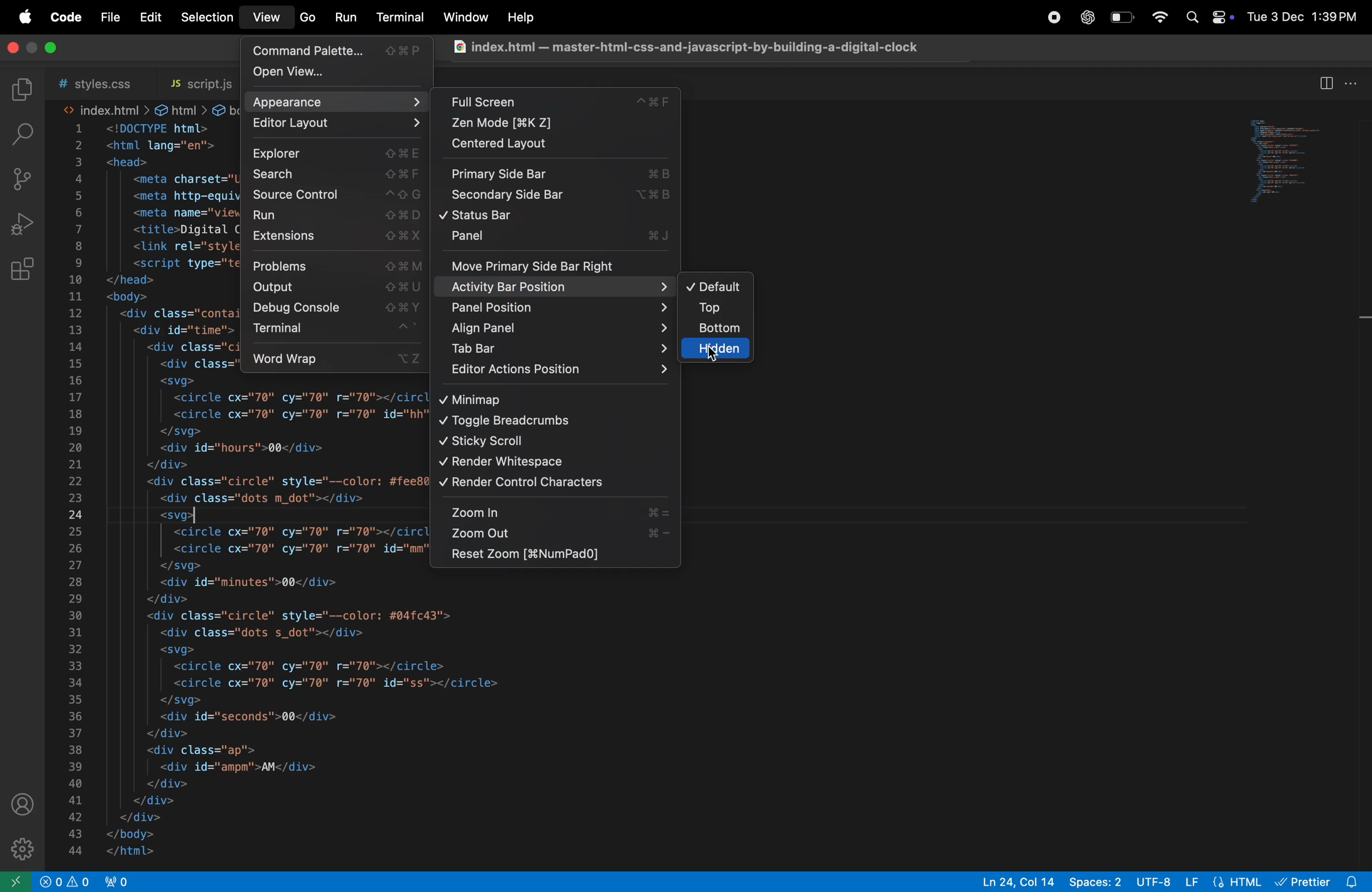  I want to click on edit, so click(148, 18).